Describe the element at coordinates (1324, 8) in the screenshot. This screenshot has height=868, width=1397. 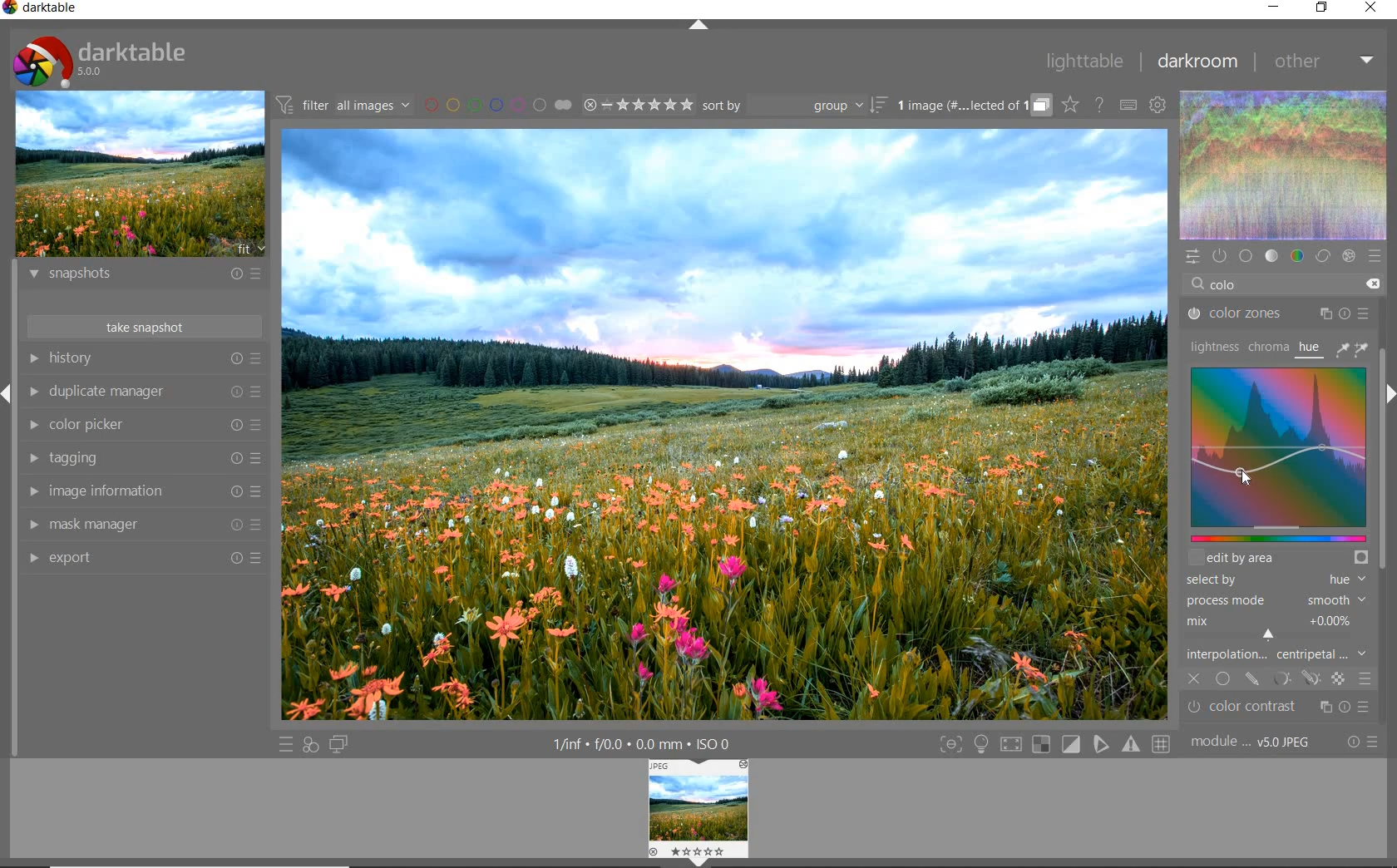
I see `restore` at that location.